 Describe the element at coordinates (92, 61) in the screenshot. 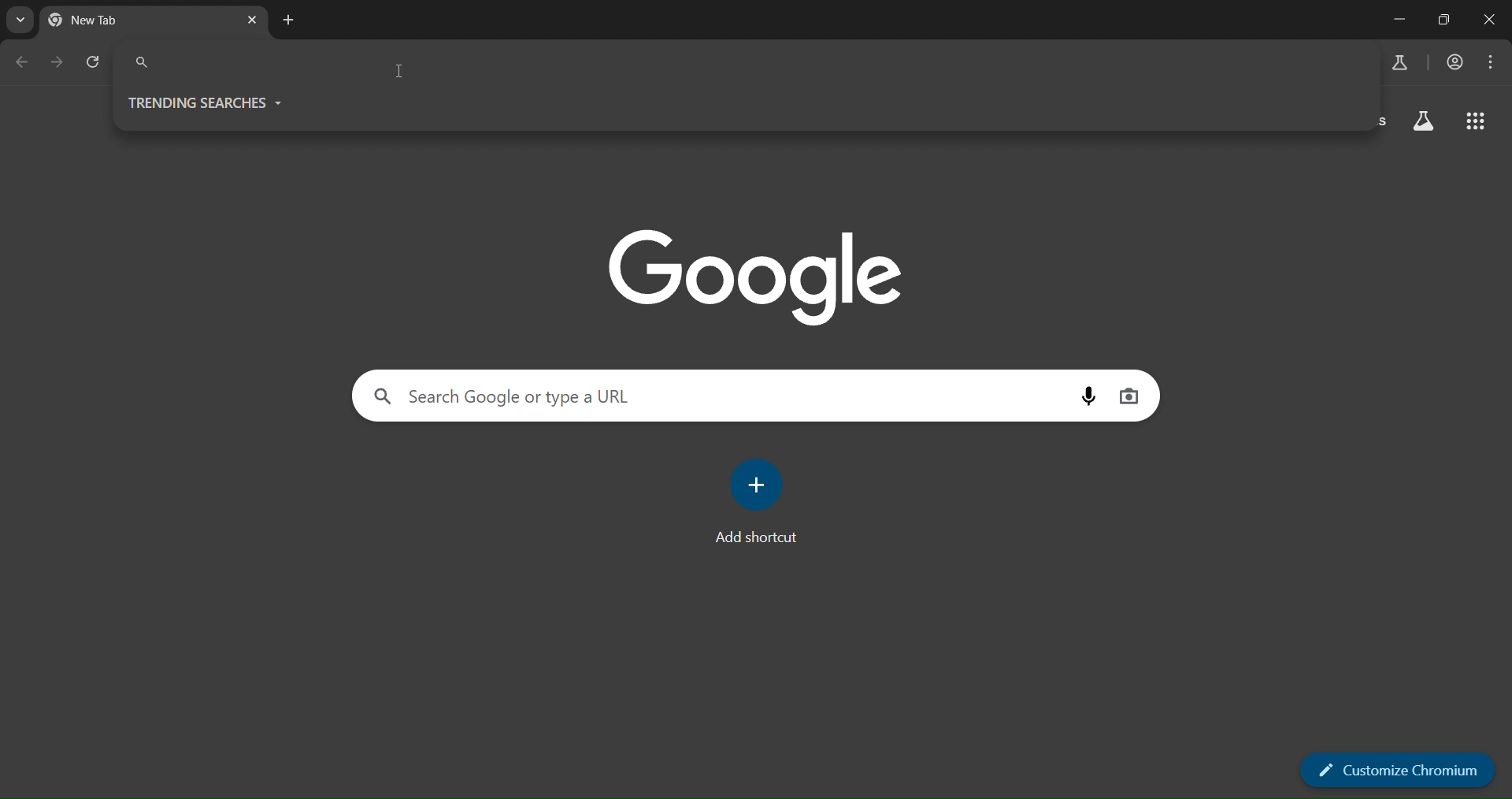

I see `reload page` at that location.